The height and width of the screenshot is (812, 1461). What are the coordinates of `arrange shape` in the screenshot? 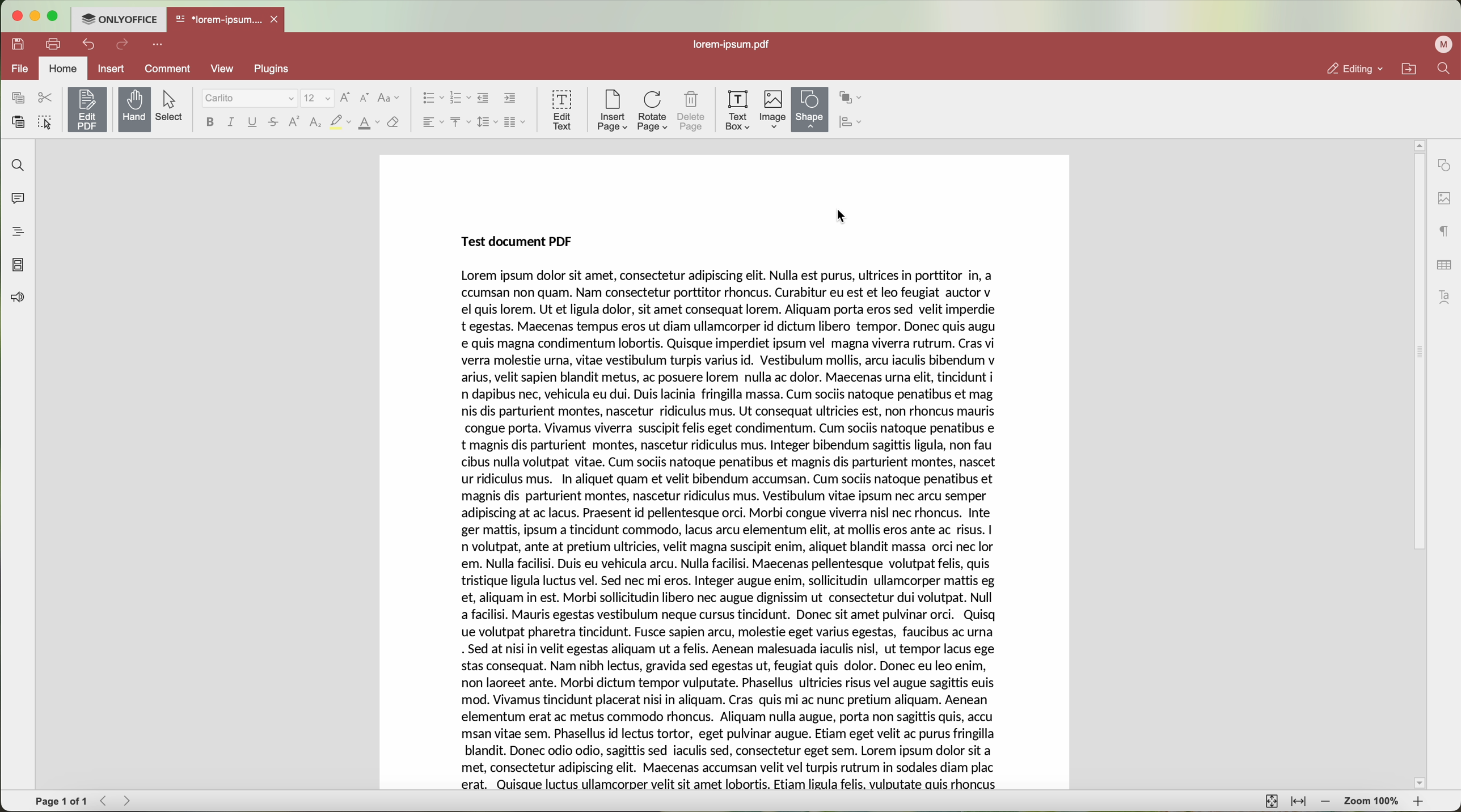 It's located at (854, 96).